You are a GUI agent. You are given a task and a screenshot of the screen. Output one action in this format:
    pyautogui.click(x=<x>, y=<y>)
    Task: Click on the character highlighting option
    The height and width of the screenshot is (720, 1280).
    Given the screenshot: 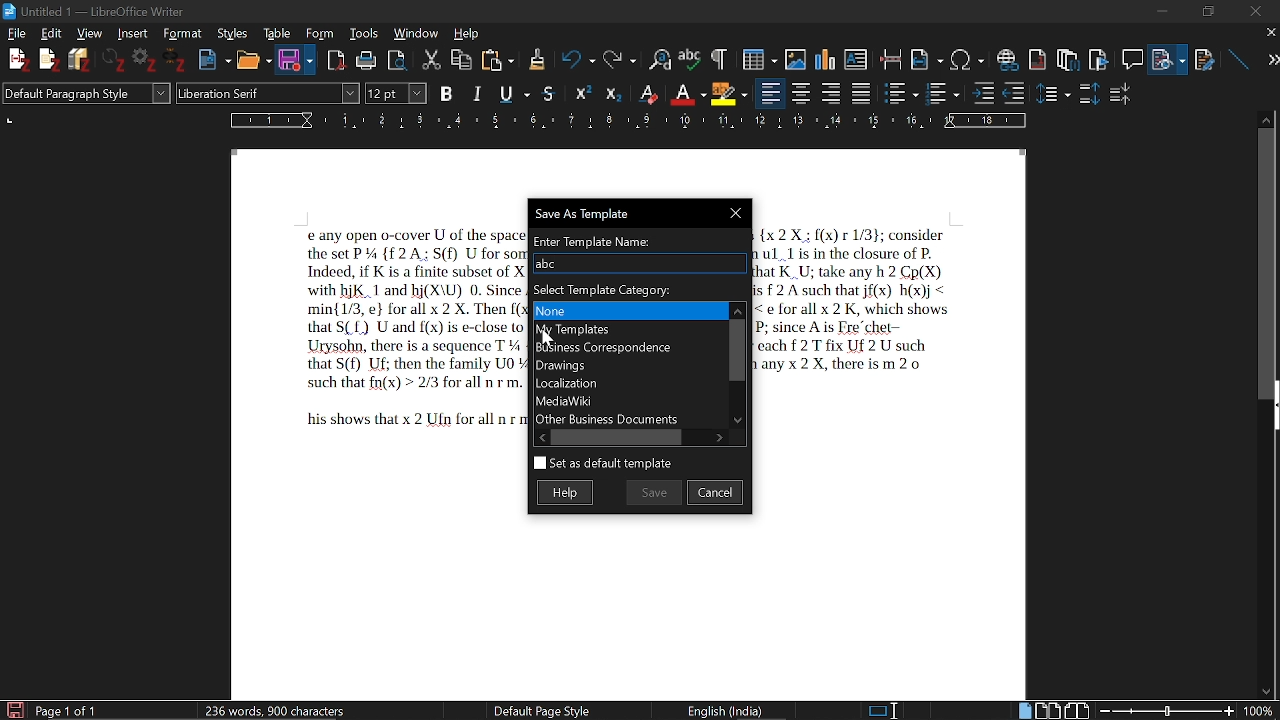 What is the action you would take?
    pyautogui.click(x=728, y=92)
    